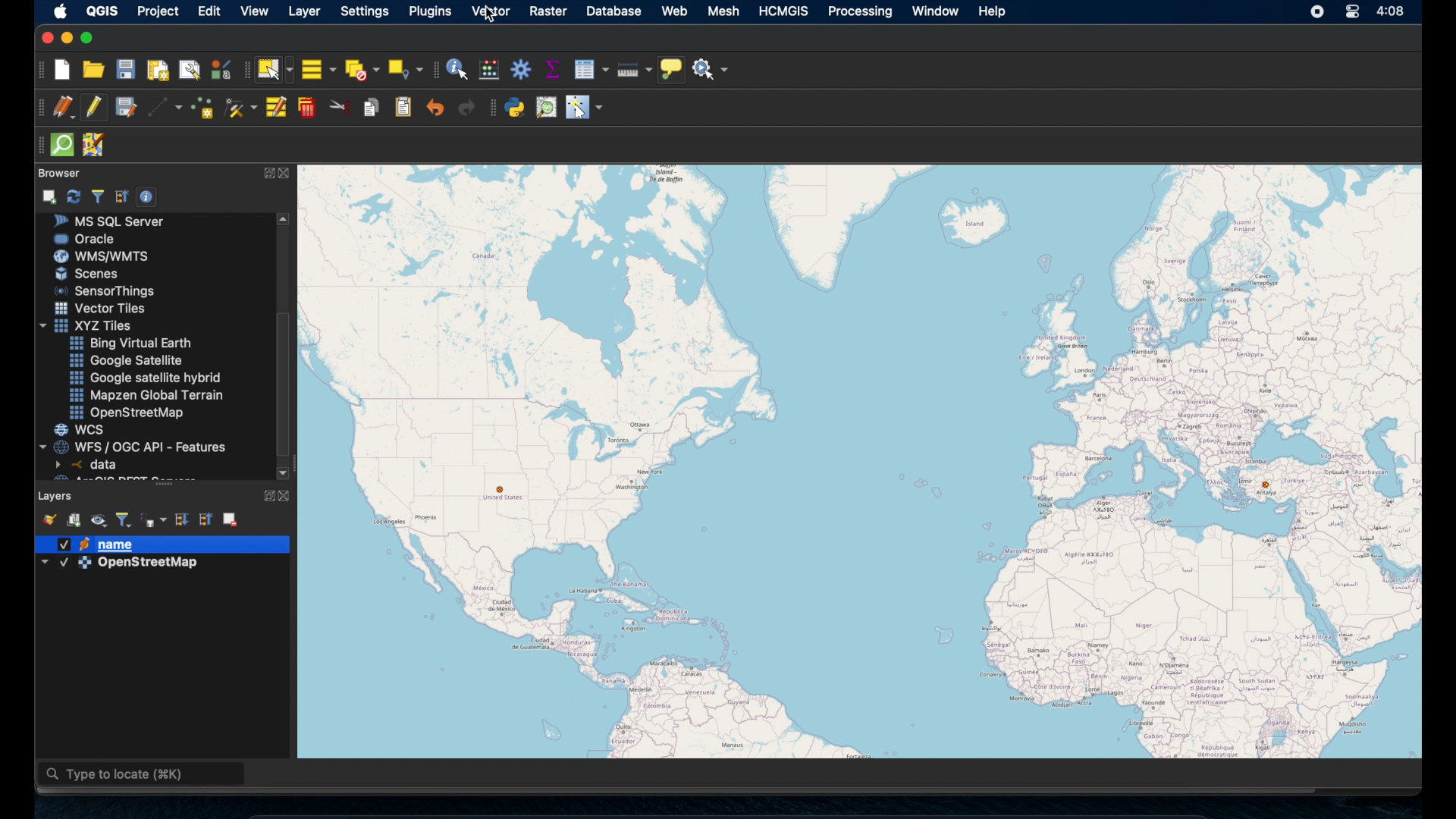 This screenshot has height=819, width=1456. What do you see at coordinates (275, 108) in the screenshot?
I see `modify attributes` at bounding box center [275, 108].